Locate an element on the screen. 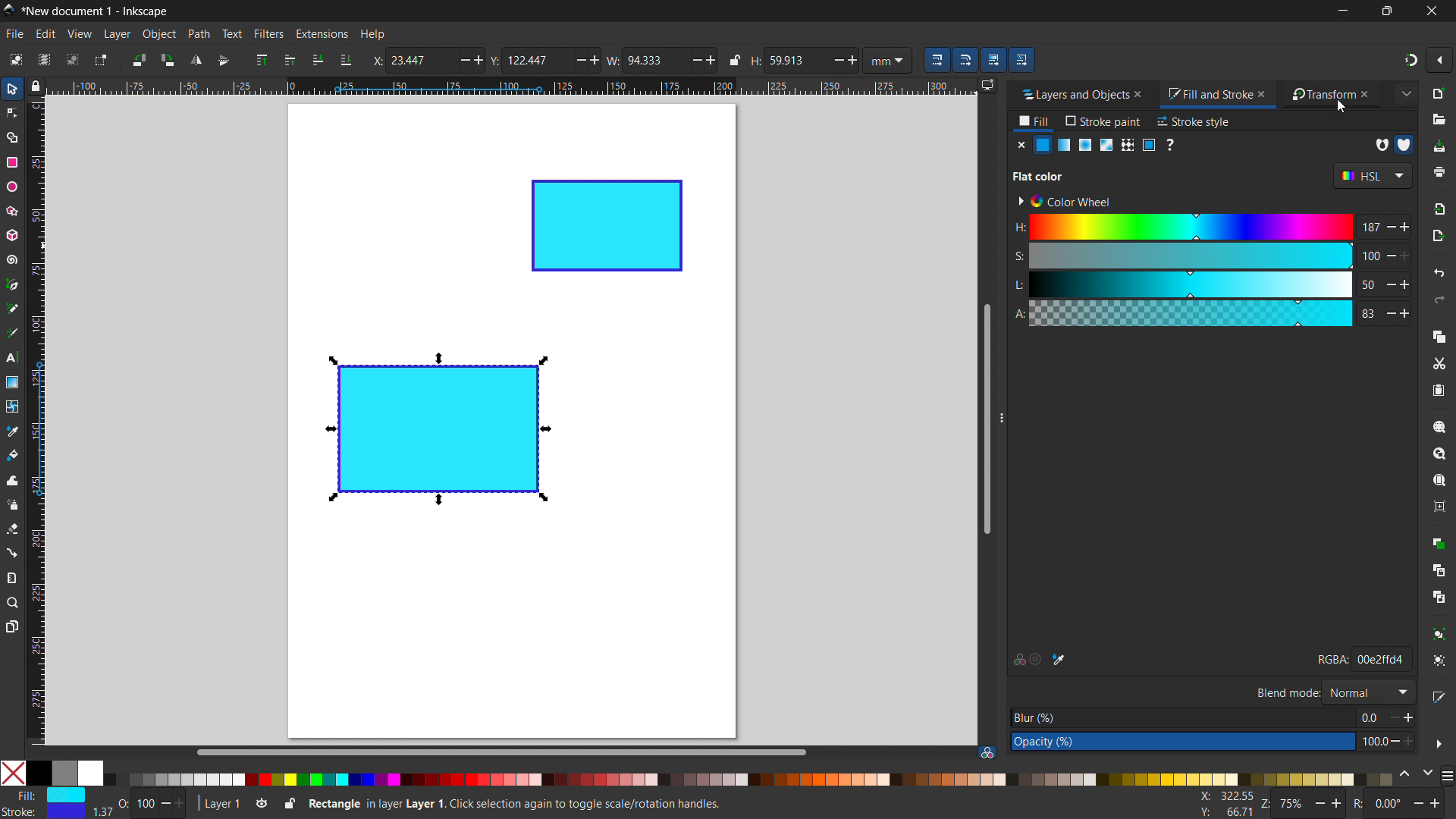 Image resolution: width=1456 pixels, height=819 pixels. rotate 90 ccw is located at coordinates (137, 59).